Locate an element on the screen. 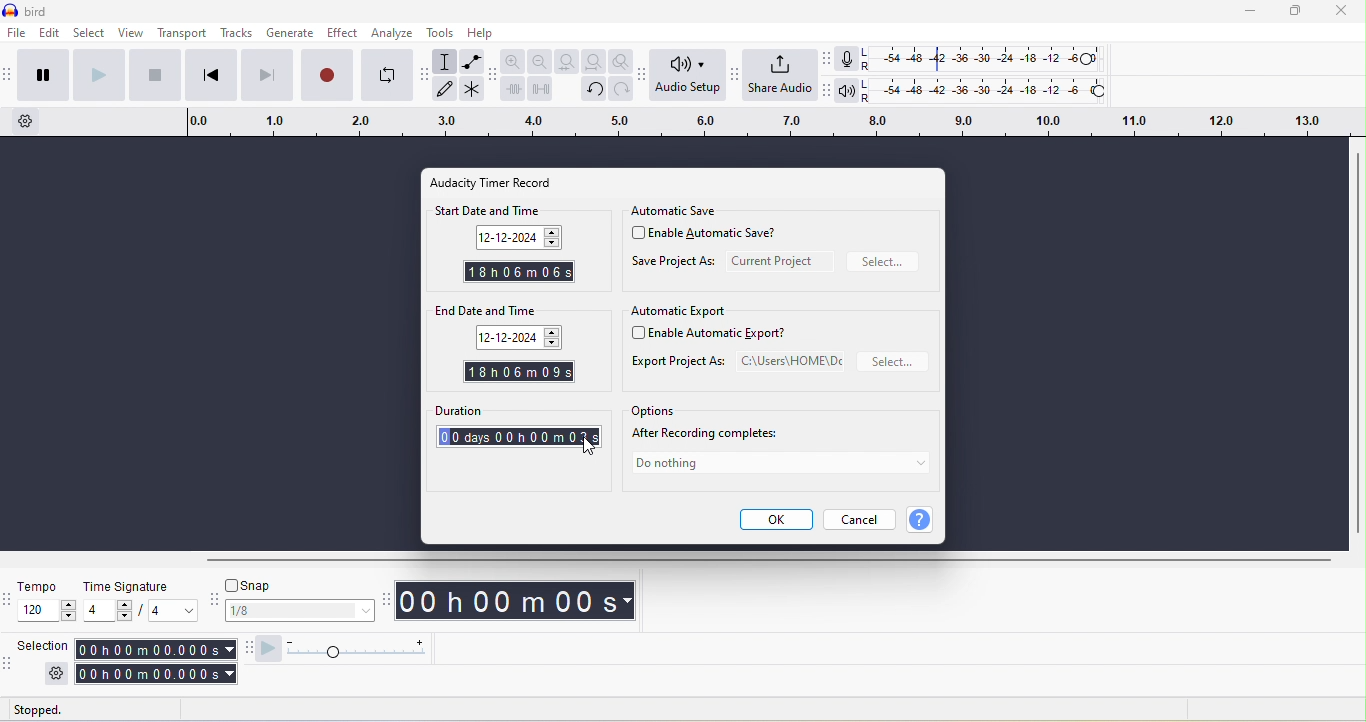  help is located at coordinates (490, 35).